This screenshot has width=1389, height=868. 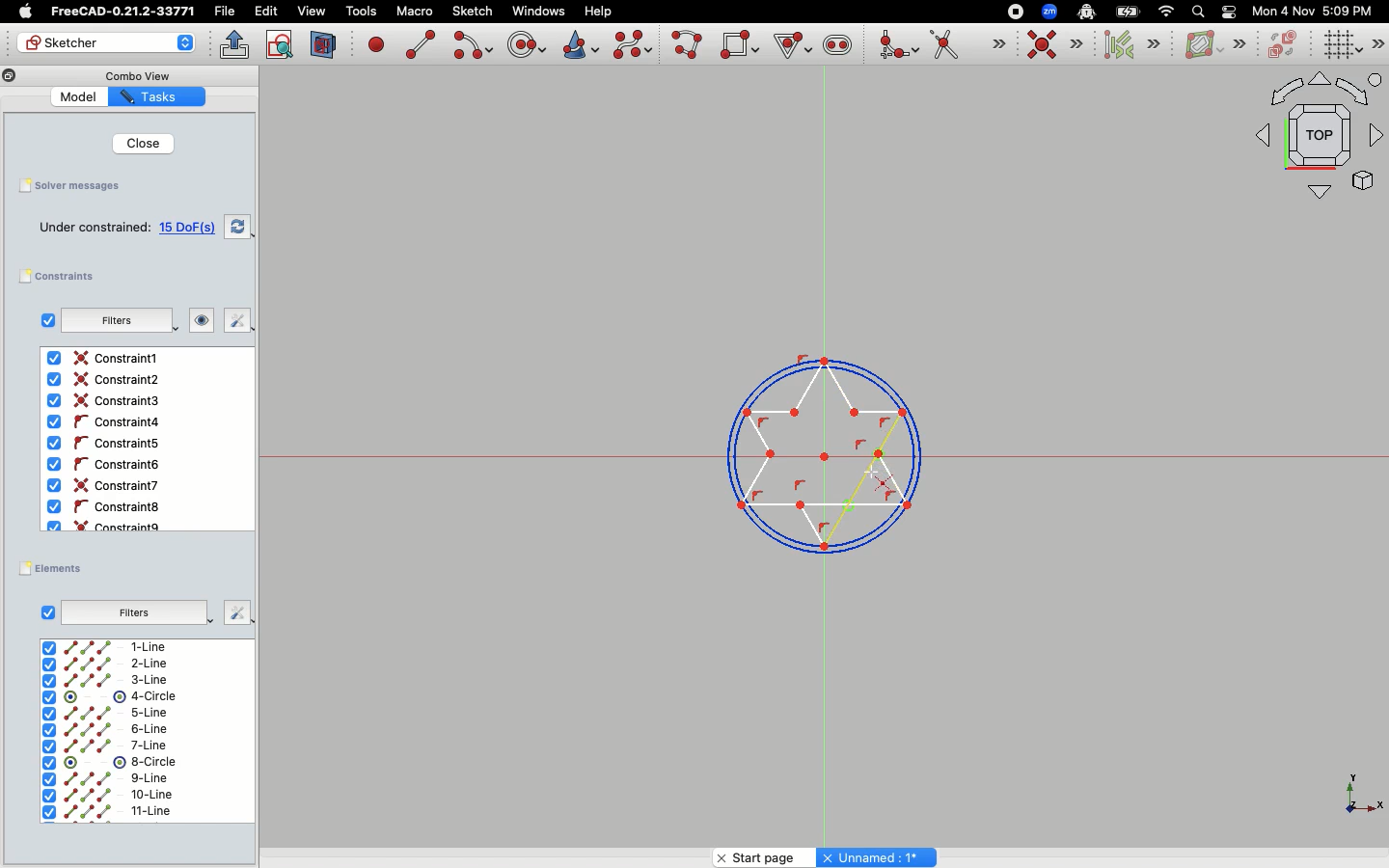 I want to click on 15 DoF(s), so click(x=125, y=229).